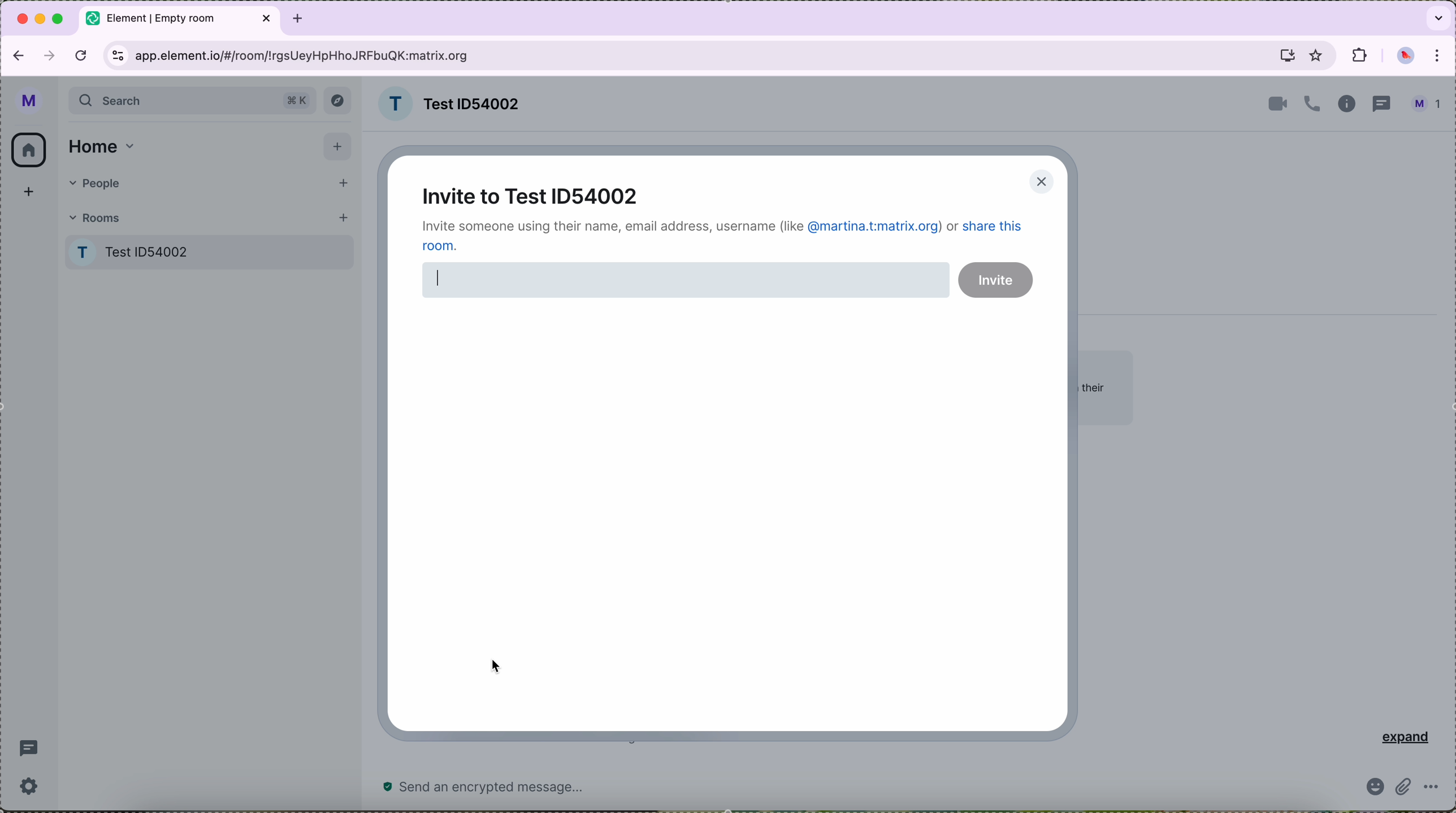 The width and height of the screenshot is (1456, 813). I want to click on emoji, so click(1376, 788).